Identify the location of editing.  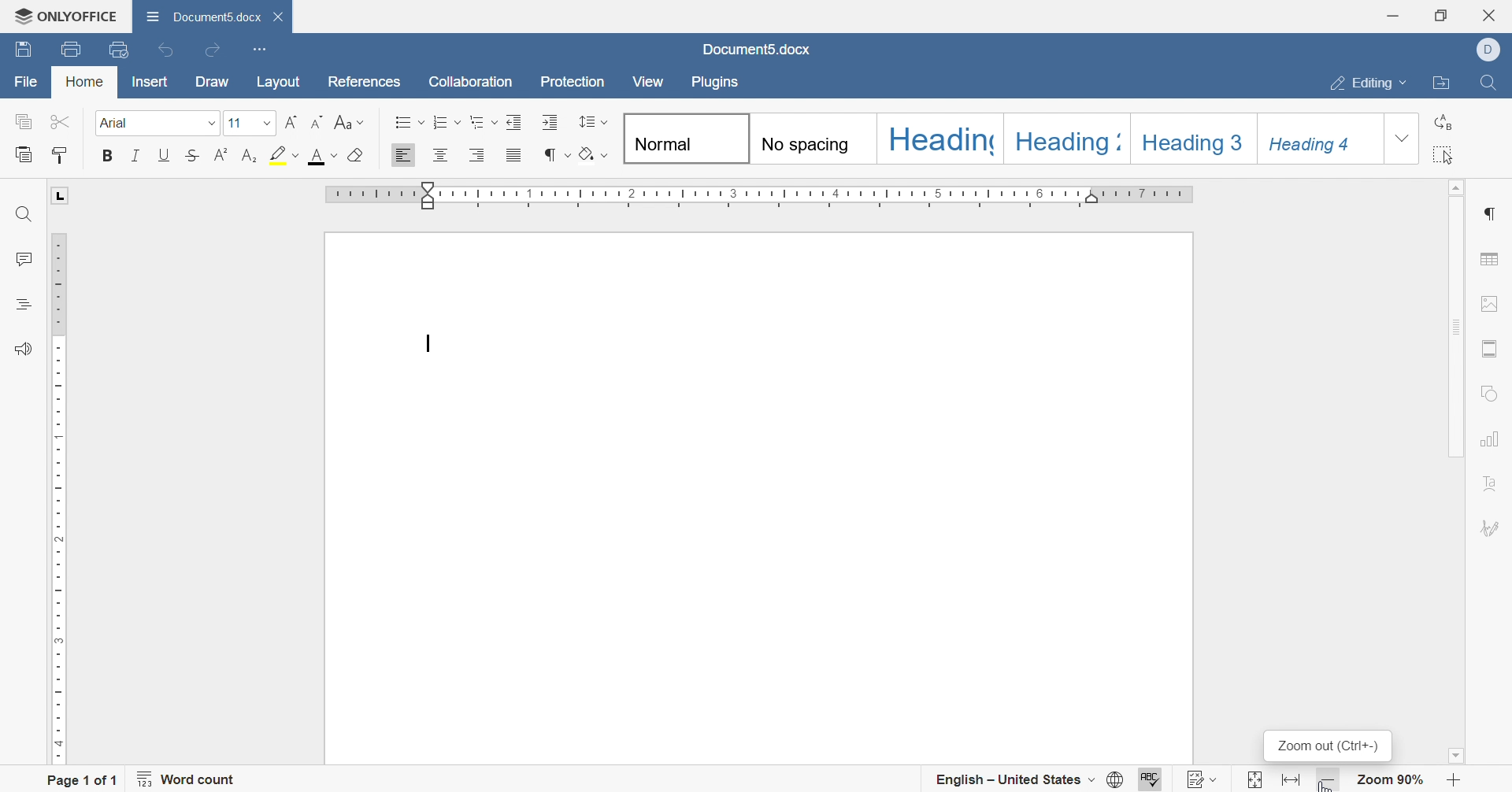
(1360, 82).